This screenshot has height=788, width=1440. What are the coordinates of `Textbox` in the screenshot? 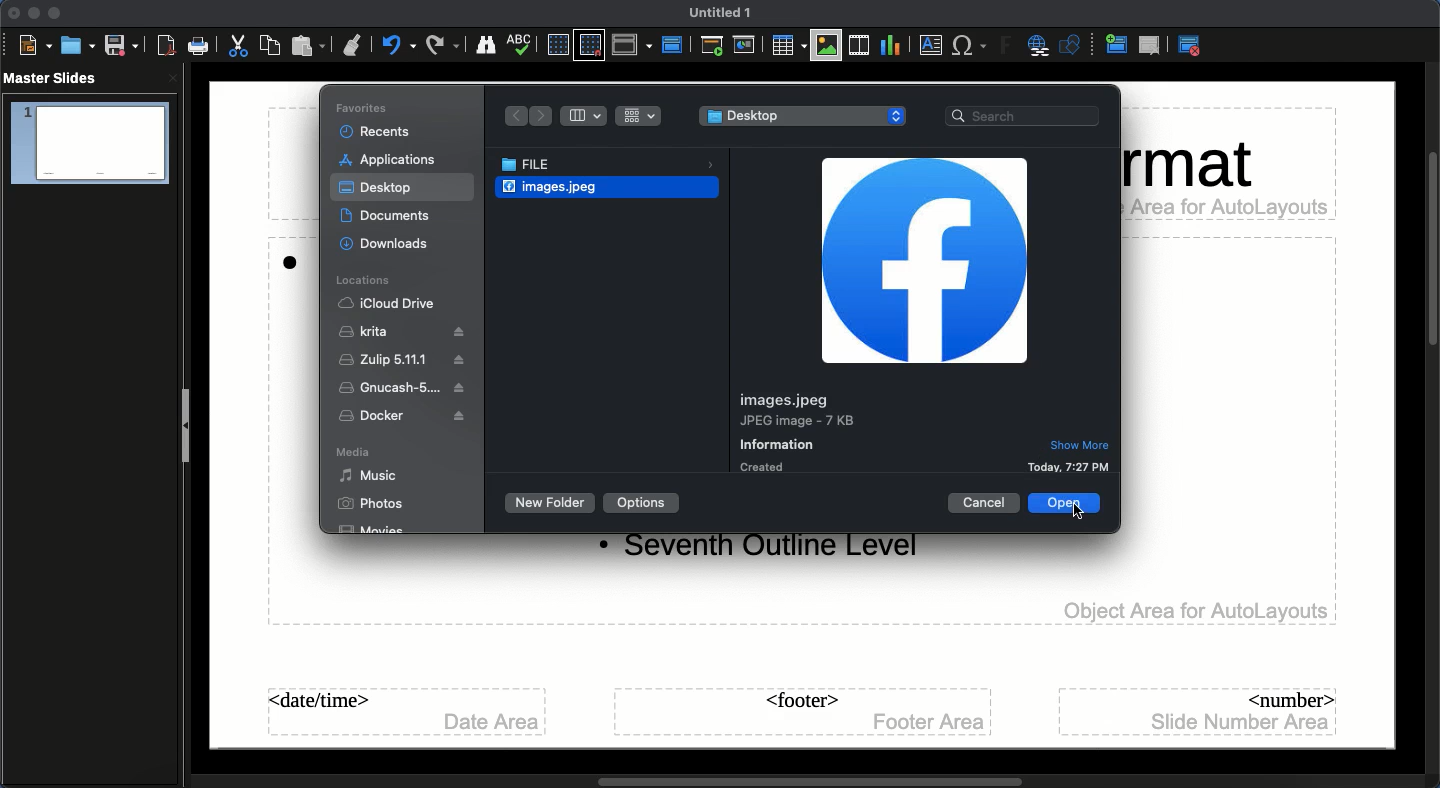 It's located at (929, 46).